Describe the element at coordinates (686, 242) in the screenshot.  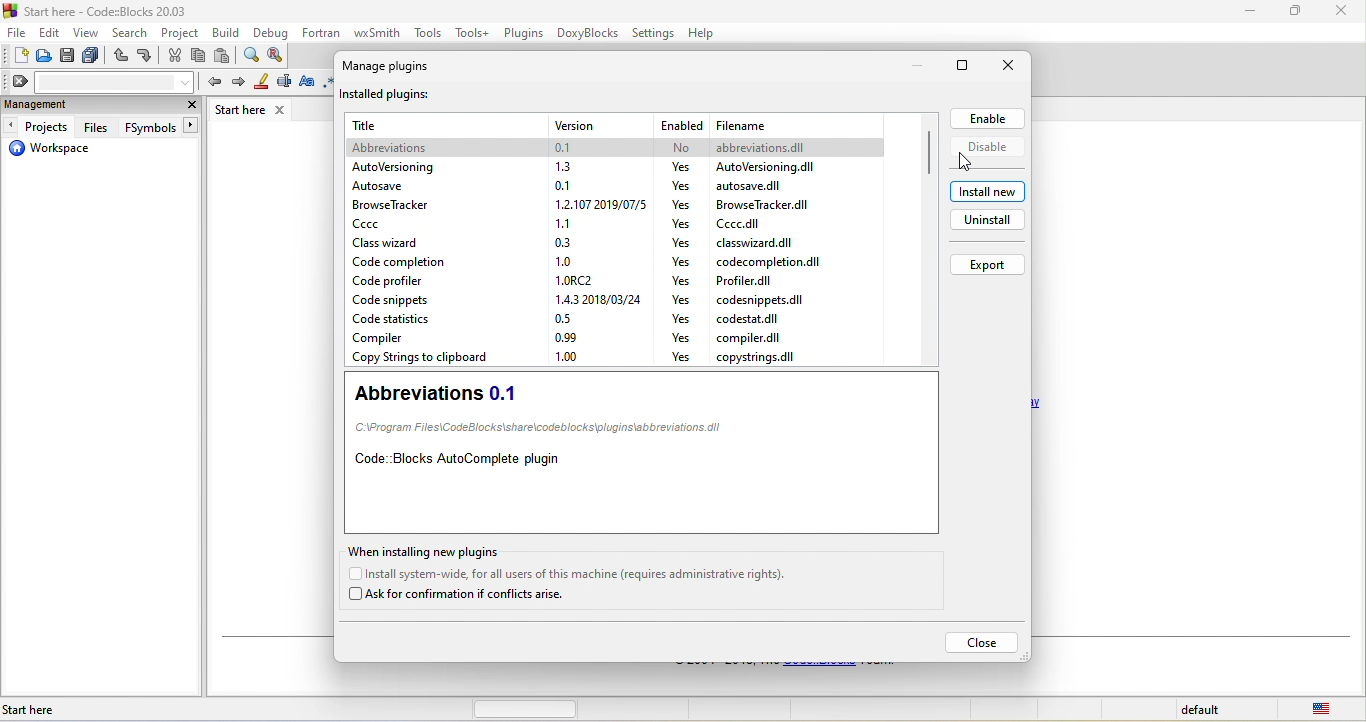
I see `yes` at that location.